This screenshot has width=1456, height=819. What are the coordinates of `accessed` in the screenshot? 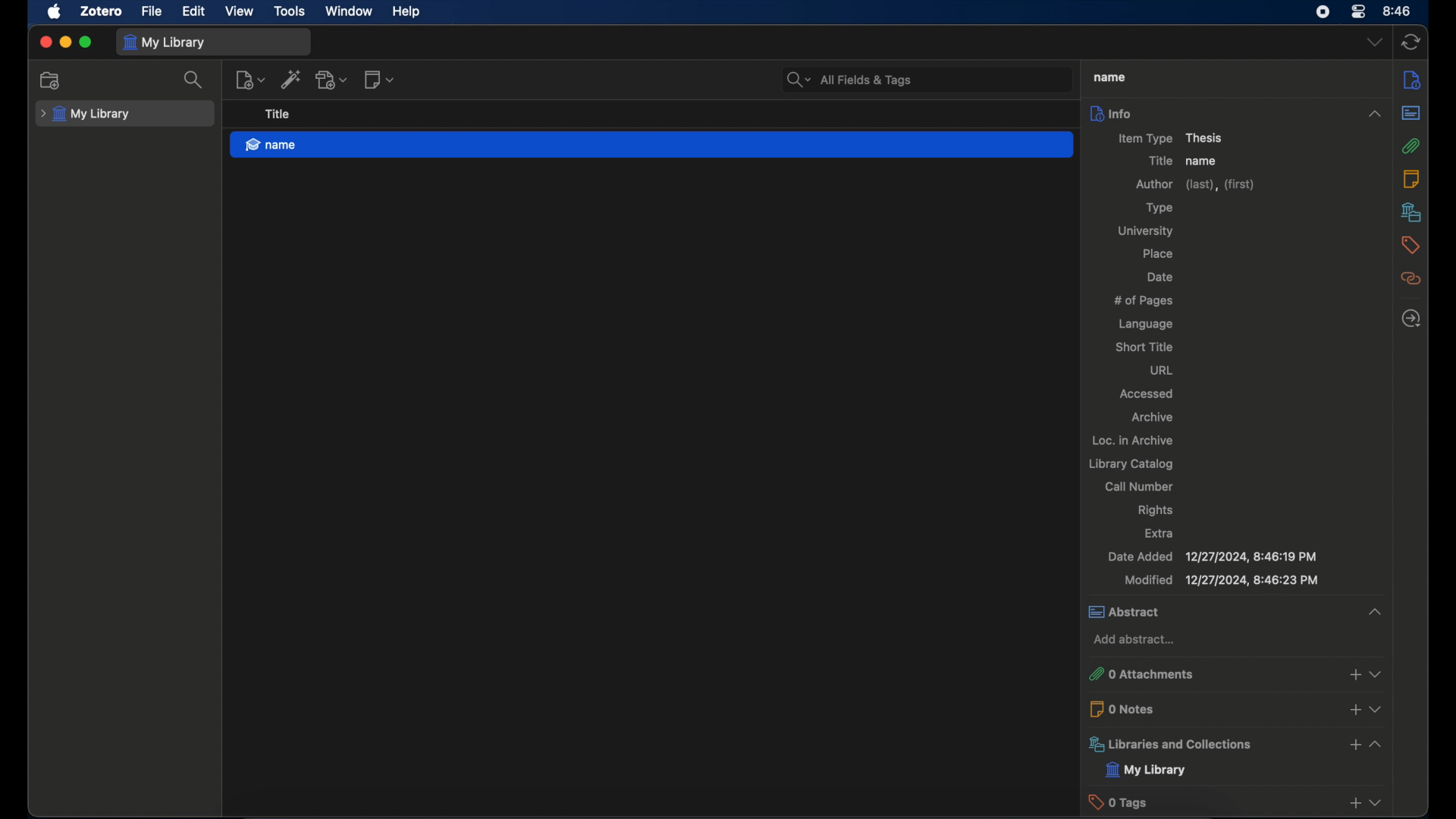 It's located at (1145, 394).